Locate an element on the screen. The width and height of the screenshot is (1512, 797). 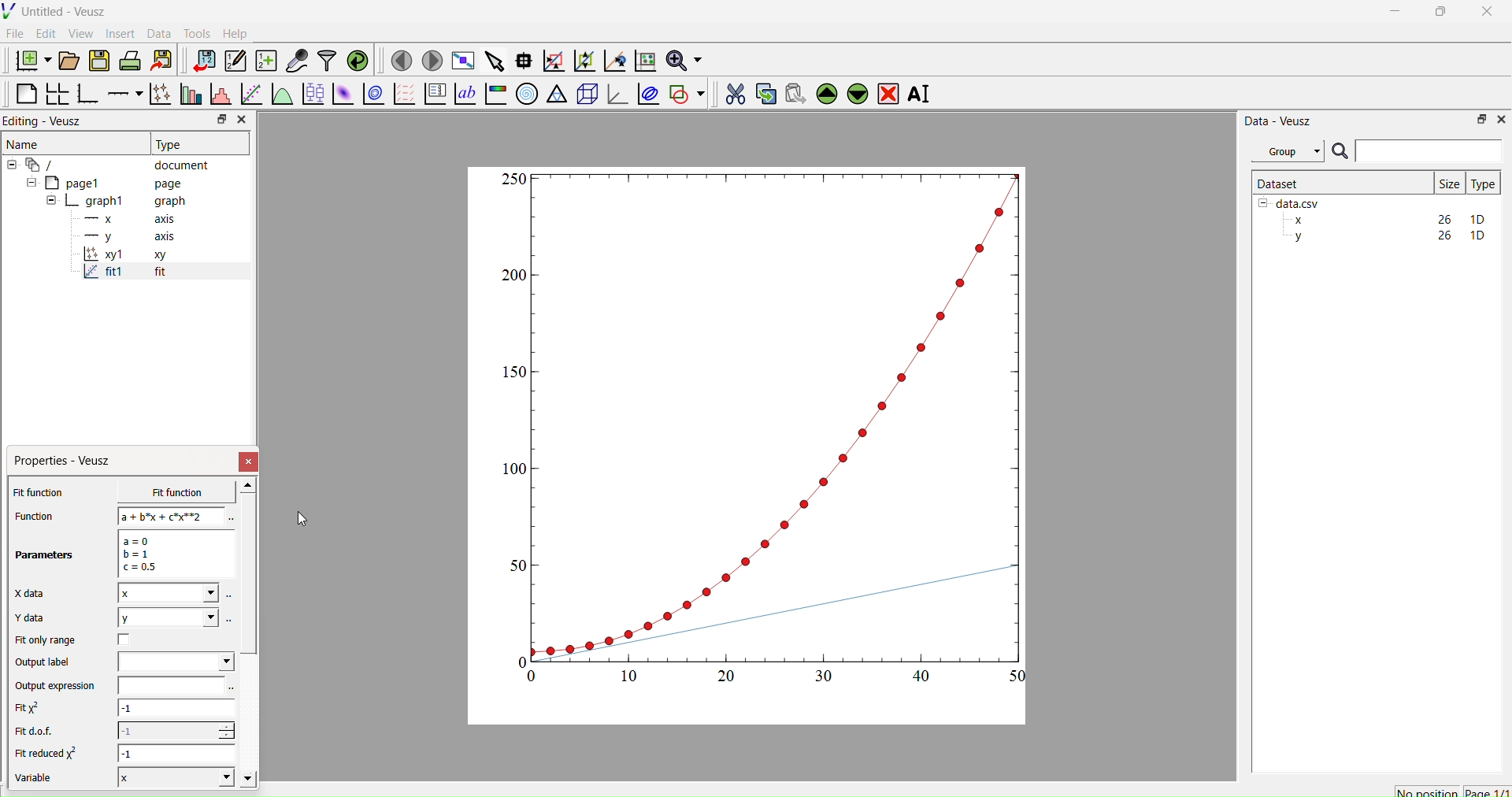
Reload linked dataset is located at coordinates (356, 59).